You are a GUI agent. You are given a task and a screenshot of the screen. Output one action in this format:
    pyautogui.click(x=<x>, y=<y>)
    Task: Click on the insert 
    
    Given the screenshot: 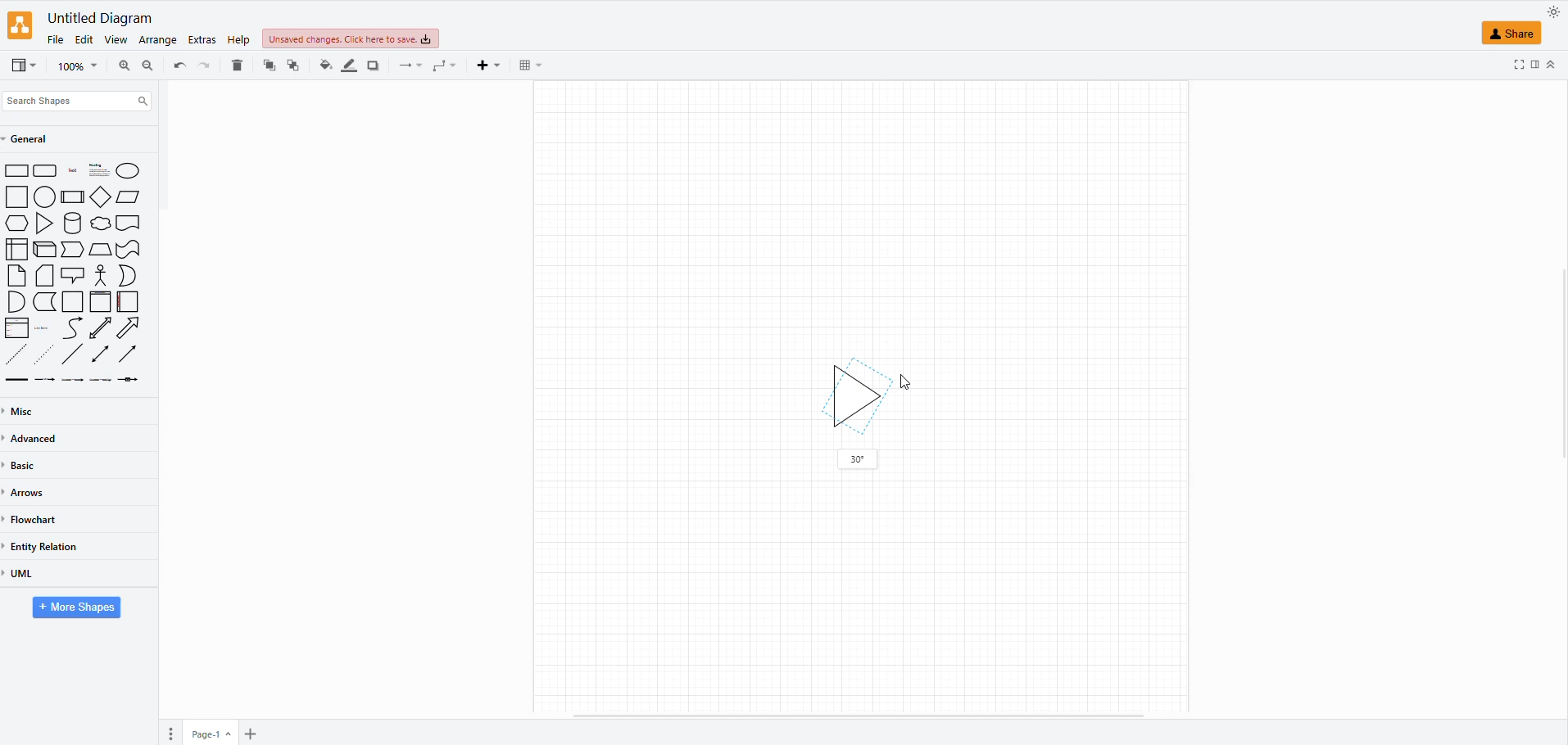 What is the action you would take?
    pyautogui.click(x=487, y=66)
    